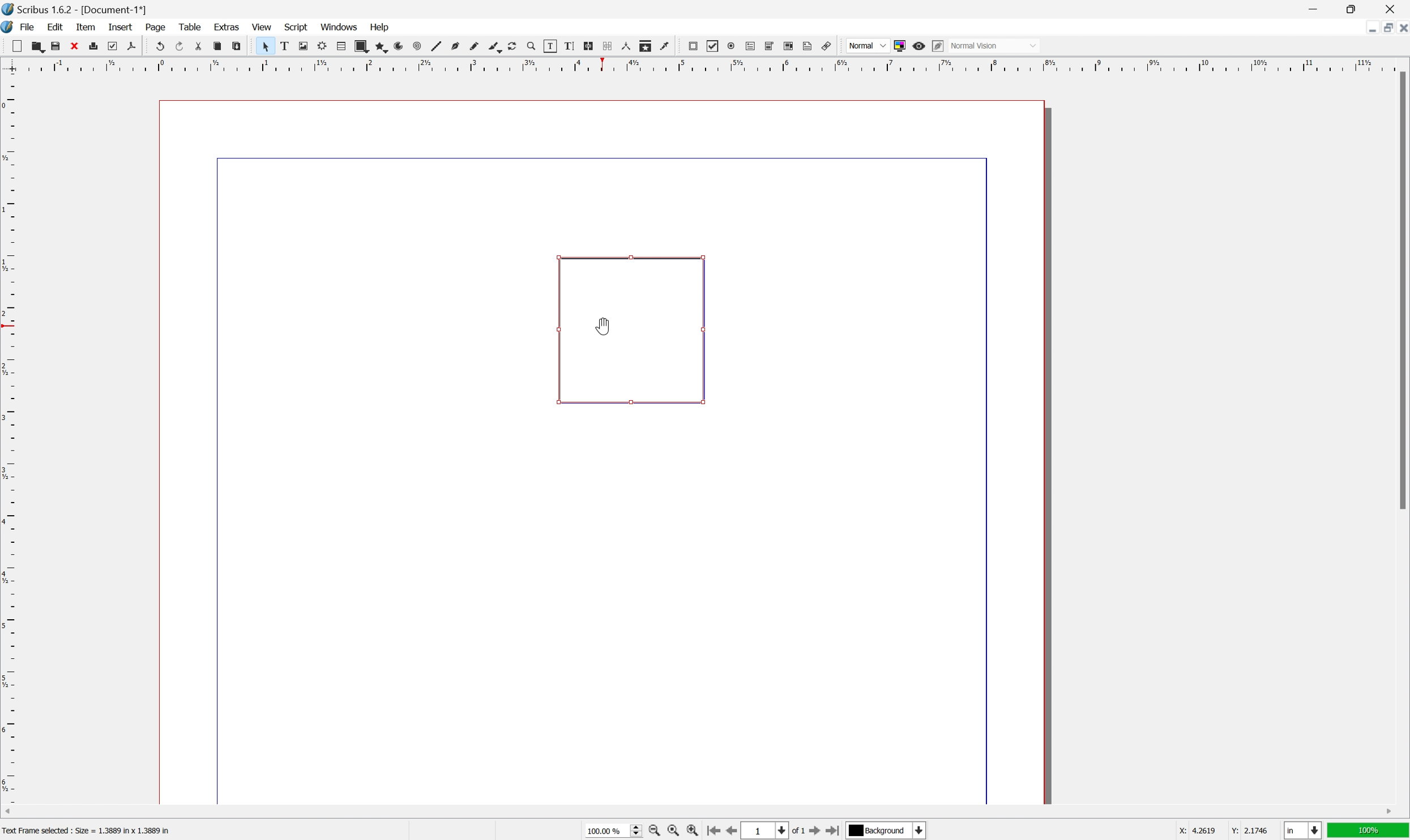  I want to click on page, so click(155, 27).